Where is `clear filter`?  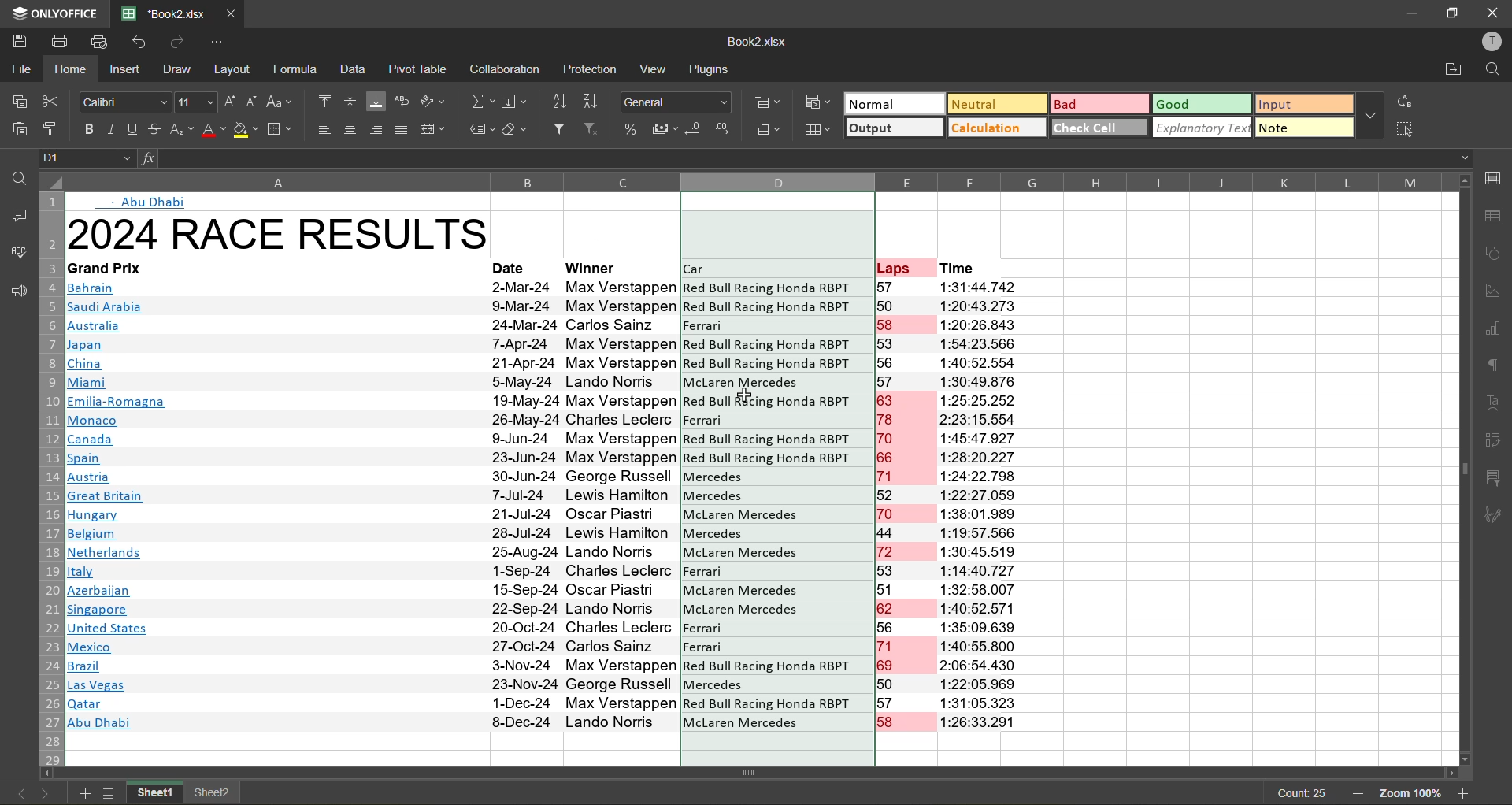 clear filter is located at coordinates (592, 129).